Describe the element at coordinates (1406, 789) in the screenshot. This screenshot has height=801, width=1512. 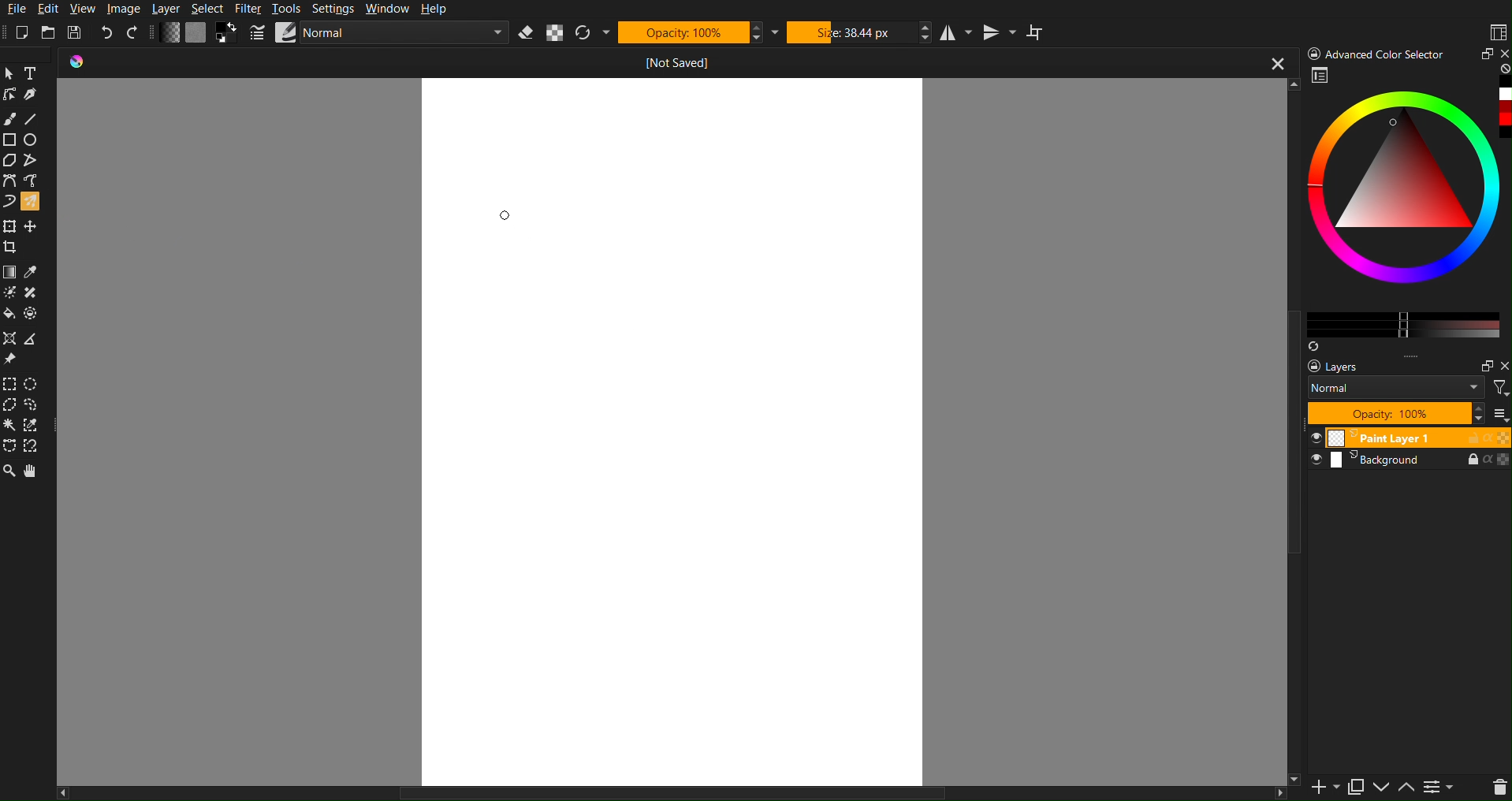
I see `up` at that location.